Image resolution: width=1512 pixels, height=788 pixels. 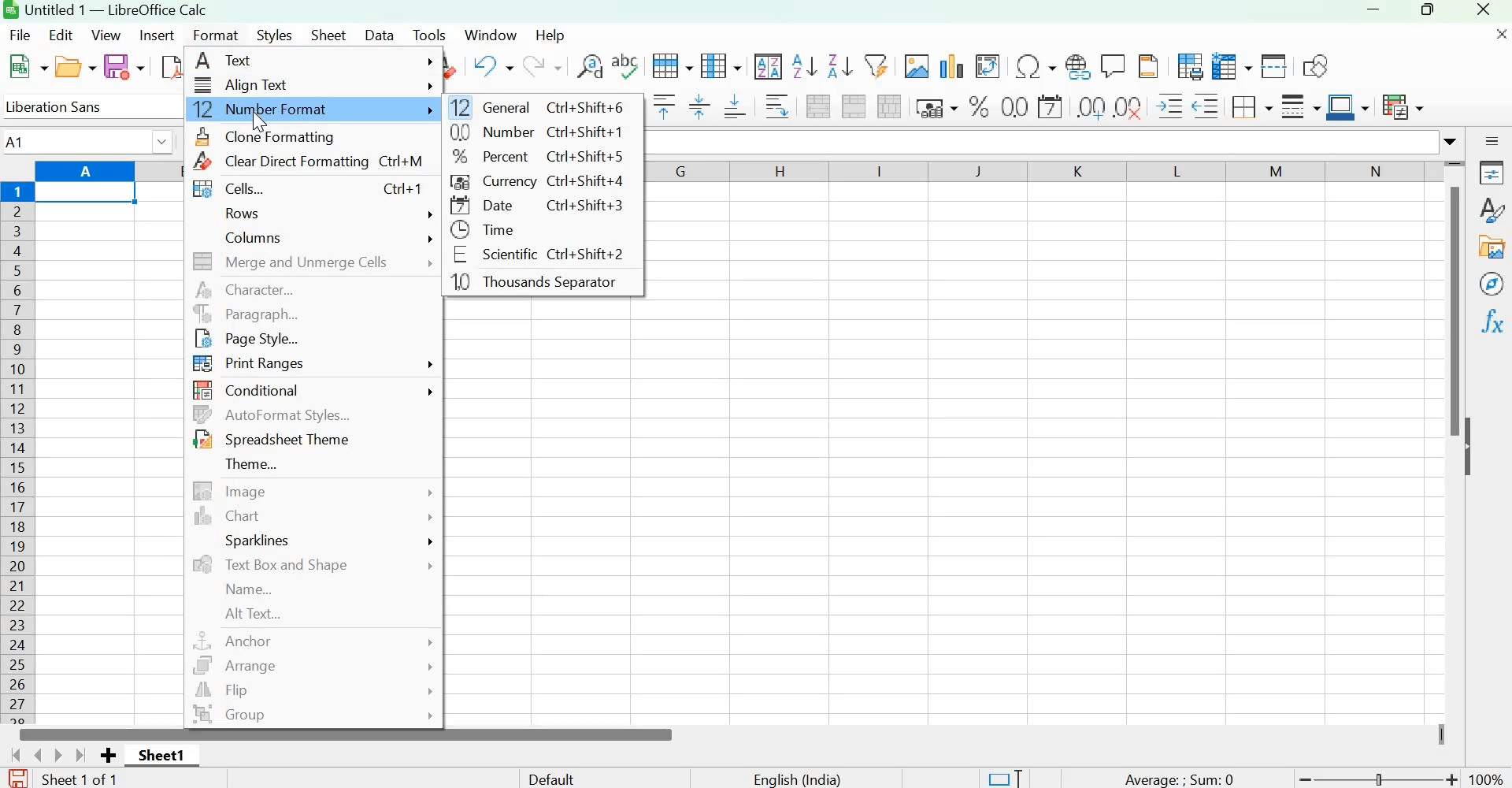 I want to click on Theme, so click(x=256, y=462).